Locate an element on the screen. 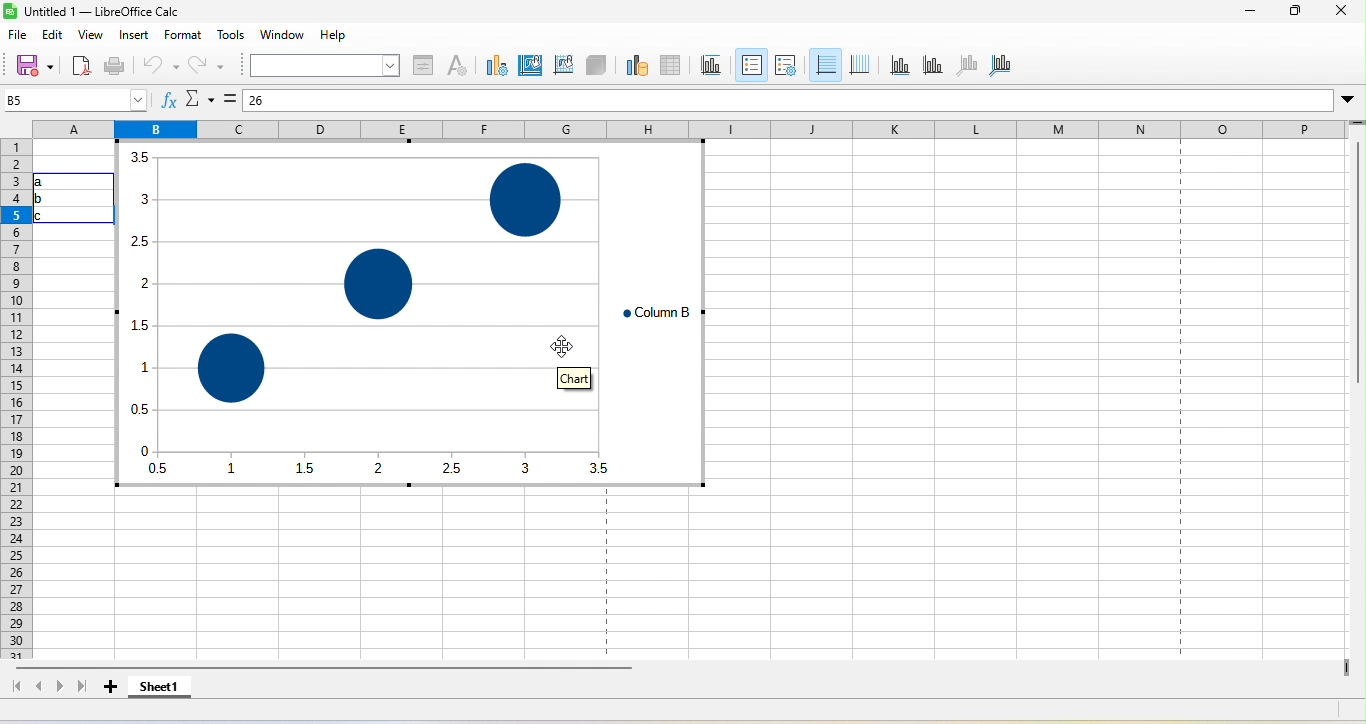 The image size is (1366, 724). z axis is located at coordinates (964, 65).